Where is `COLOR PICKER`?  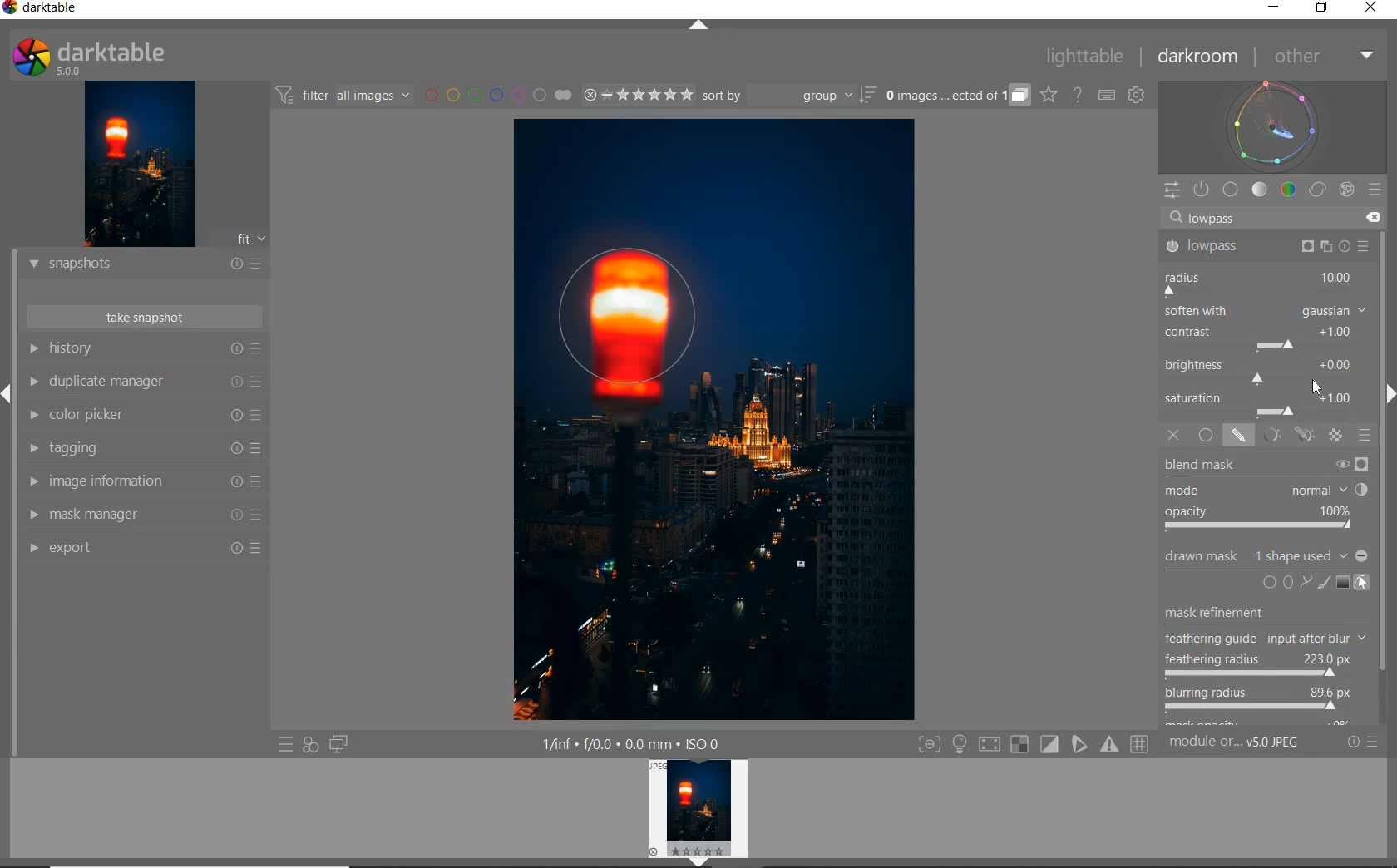 COLOR PICKER is located at coordinates (146, 416).